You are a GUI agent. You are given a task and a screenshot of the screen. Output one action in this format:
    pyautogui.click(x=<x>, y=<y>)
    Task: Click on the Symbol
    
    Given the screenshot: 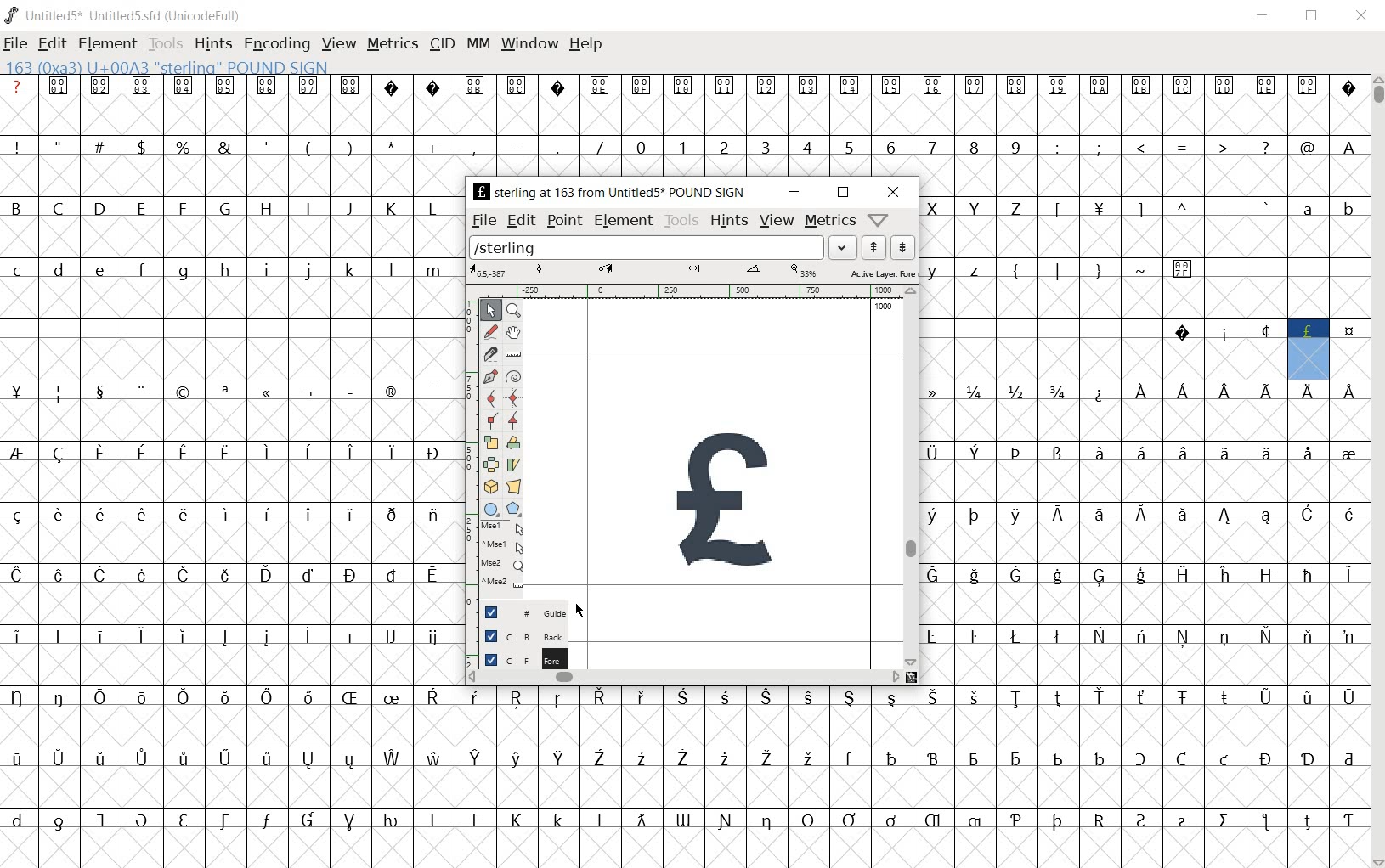 What is the action you would take?
    pyautogui.click(x=684, y=820)
    